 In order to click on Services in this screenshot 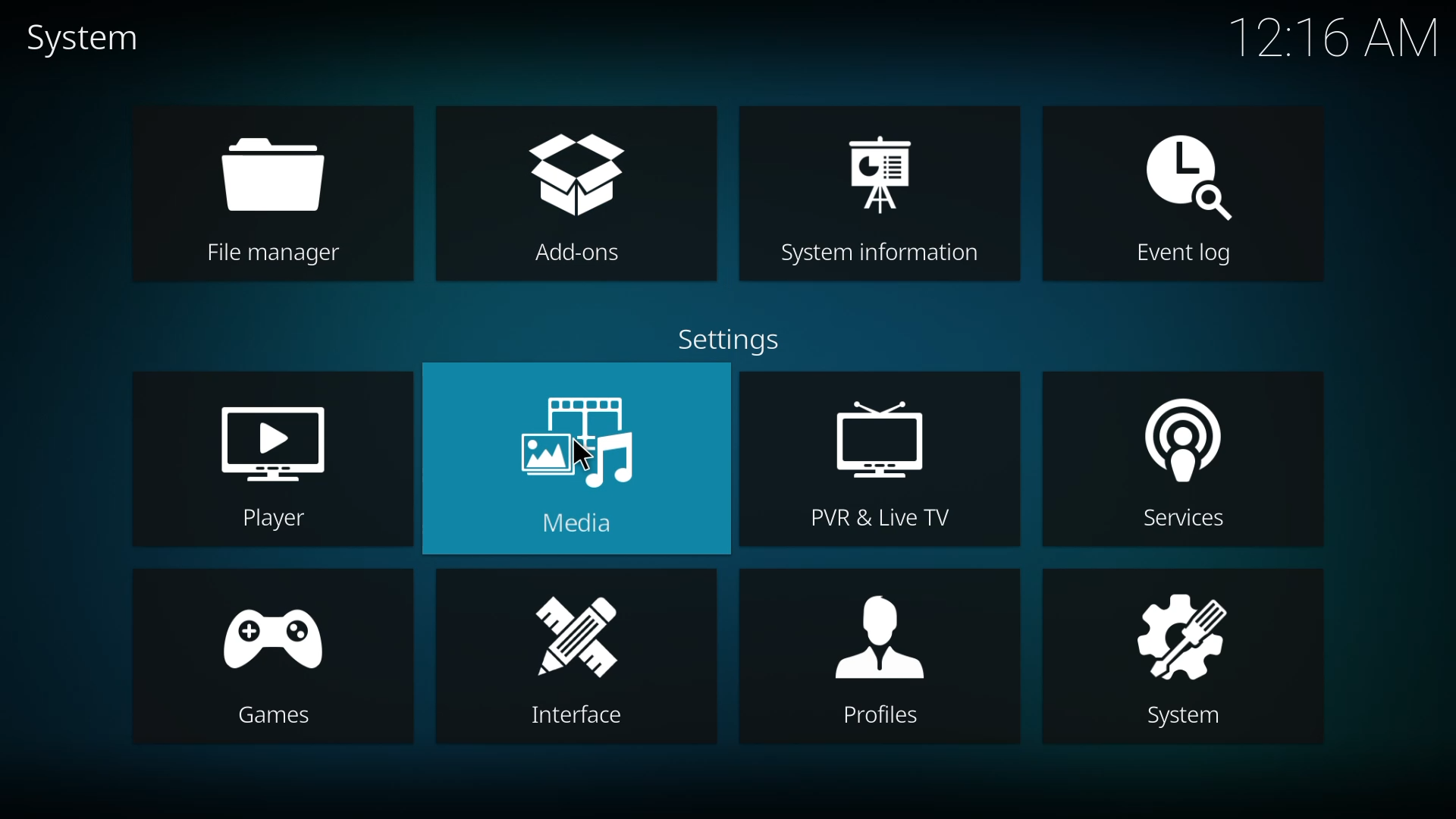, I will do `click(1178, 519)`.